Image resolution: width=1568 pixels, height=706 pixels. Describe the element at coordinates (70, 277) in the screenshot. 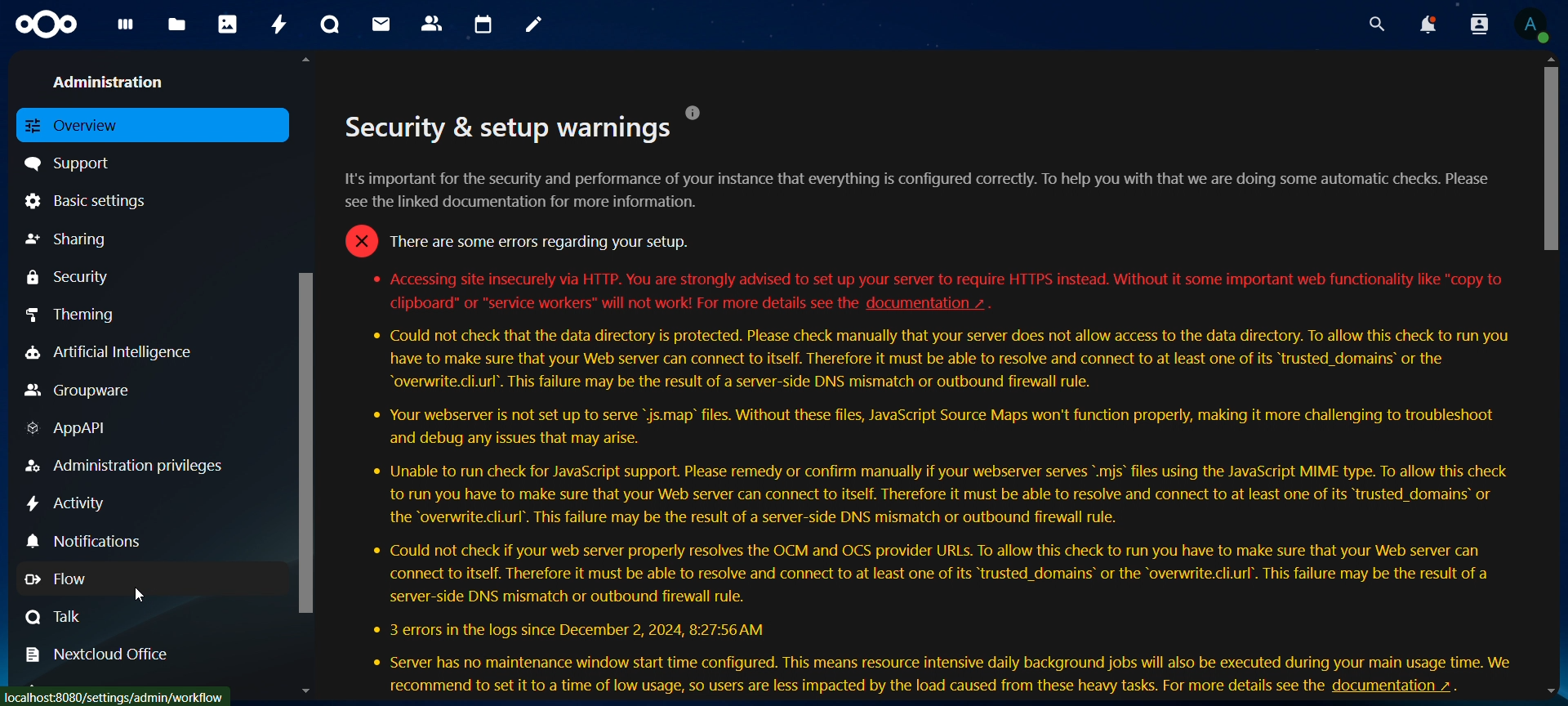

I see `security` at that location.